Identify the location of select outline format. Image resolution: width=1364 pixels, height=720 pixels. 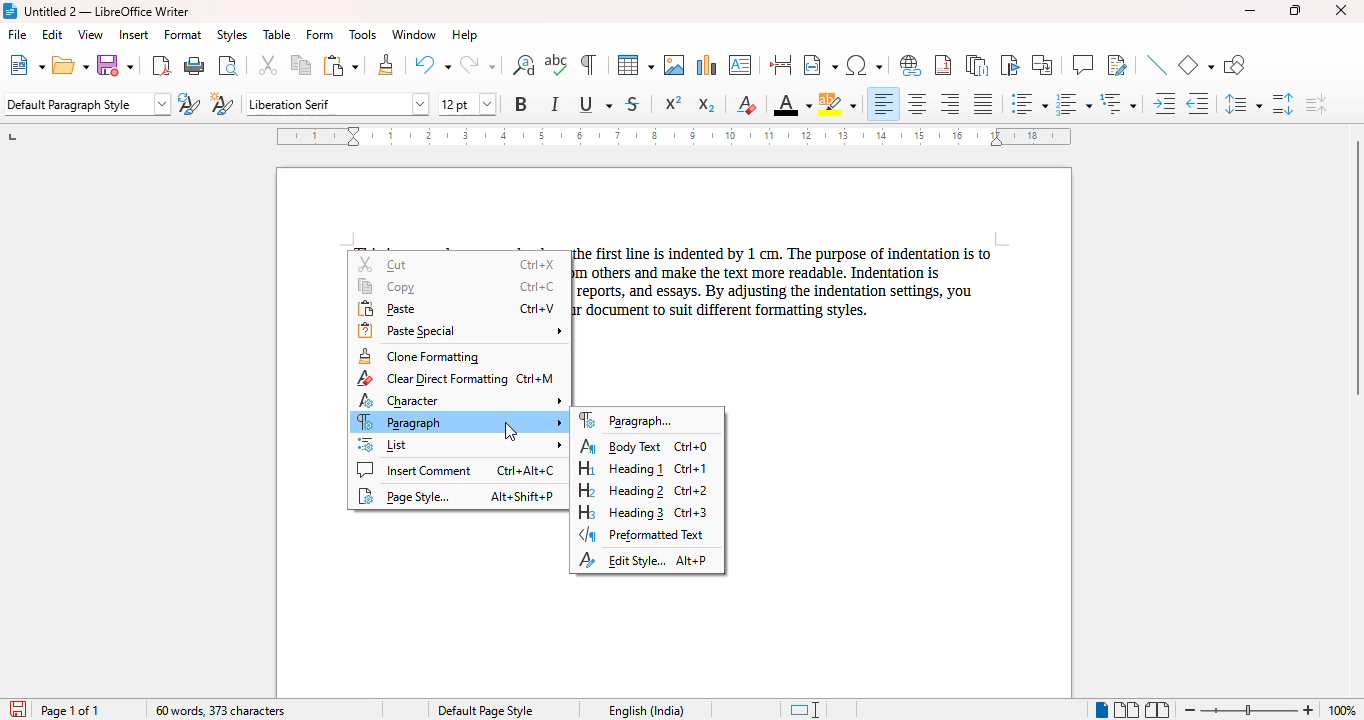
(1119, 103).